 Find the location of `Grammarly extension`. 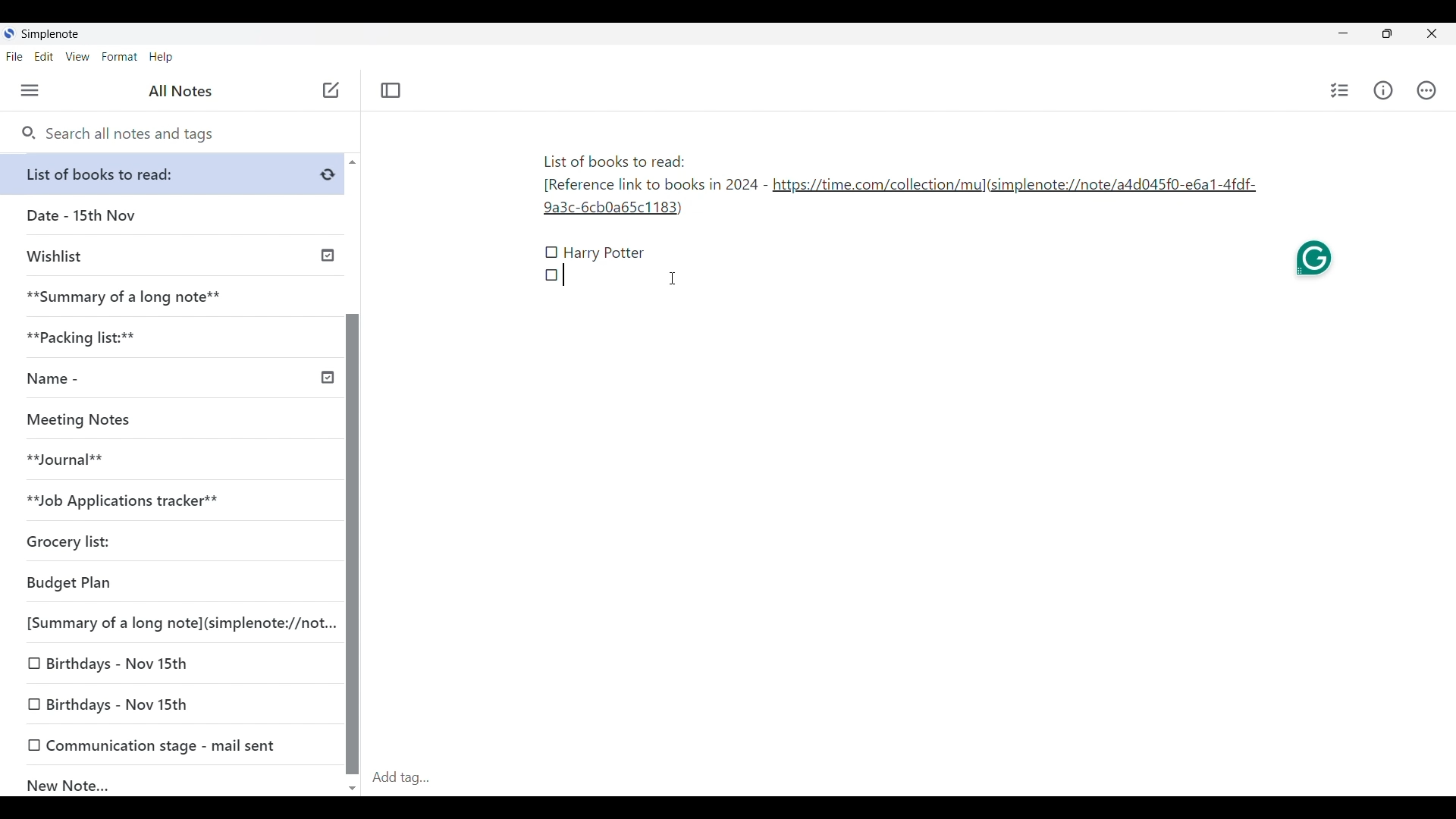

Grammarly extension is located at coordinates (1313, 261).